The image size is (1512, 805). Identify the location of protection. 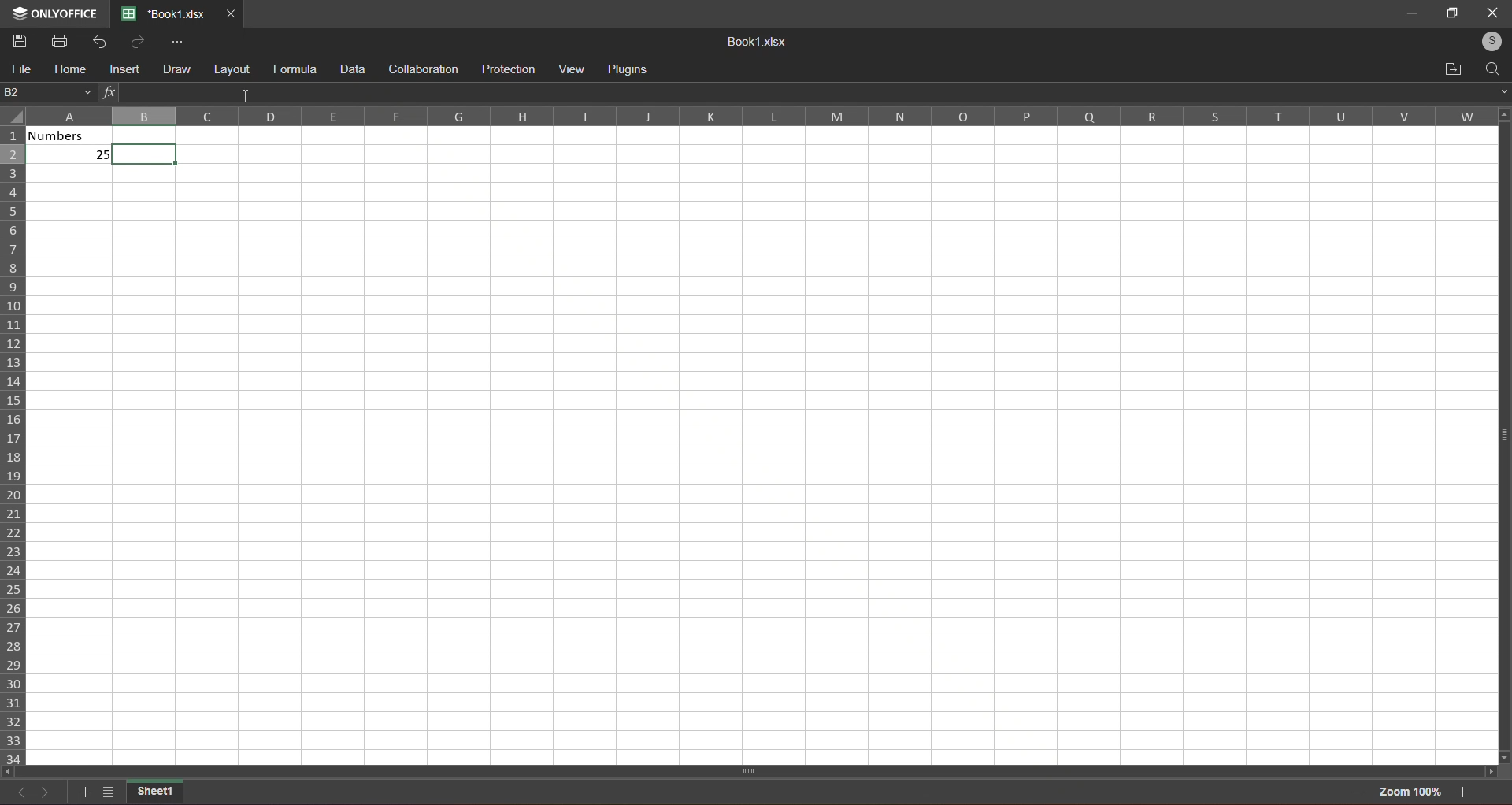
(506, 69).